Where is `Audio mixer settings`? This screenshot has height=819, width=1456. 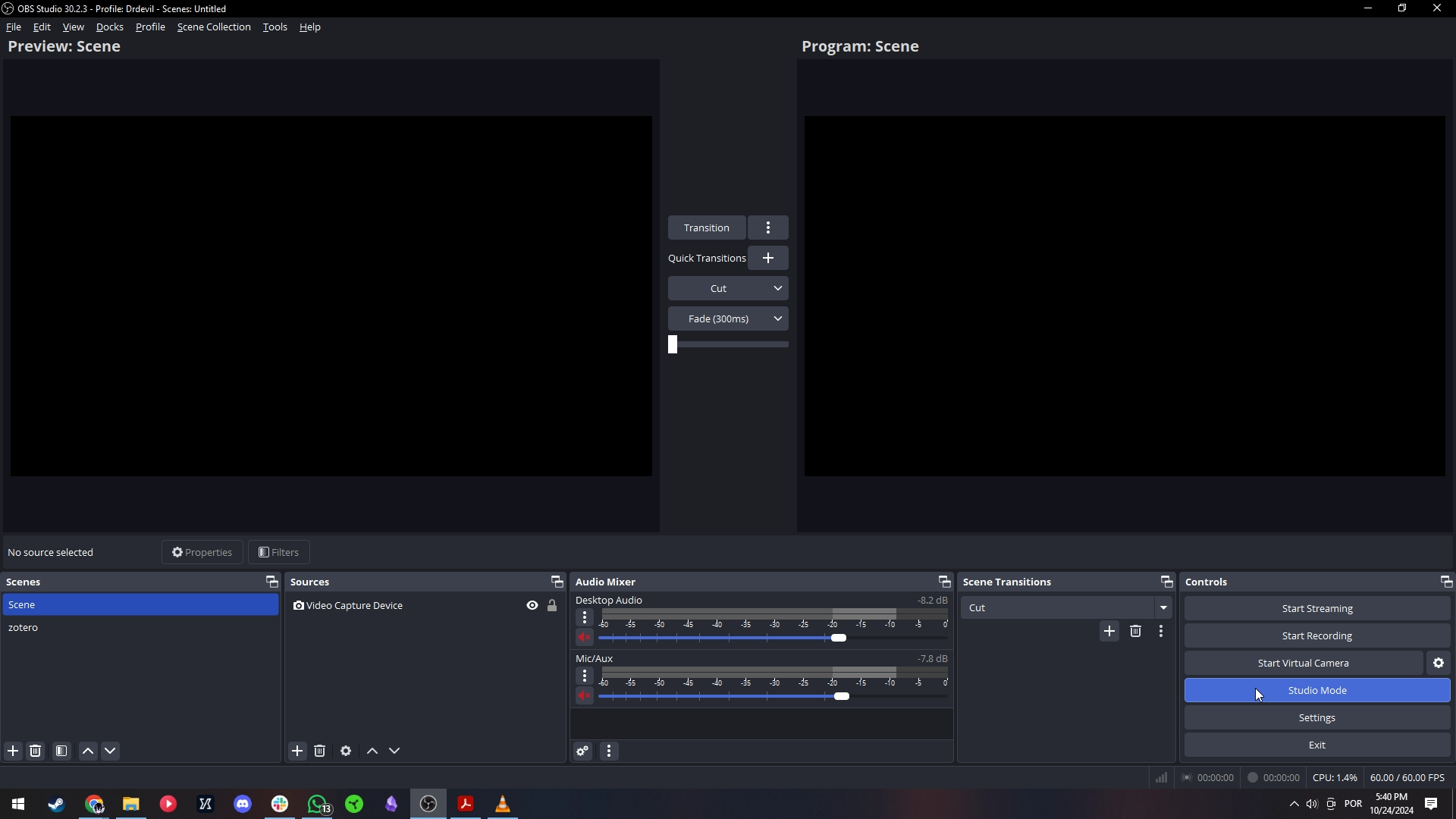
Audio mixer settings is located at coordinates (610, 752).